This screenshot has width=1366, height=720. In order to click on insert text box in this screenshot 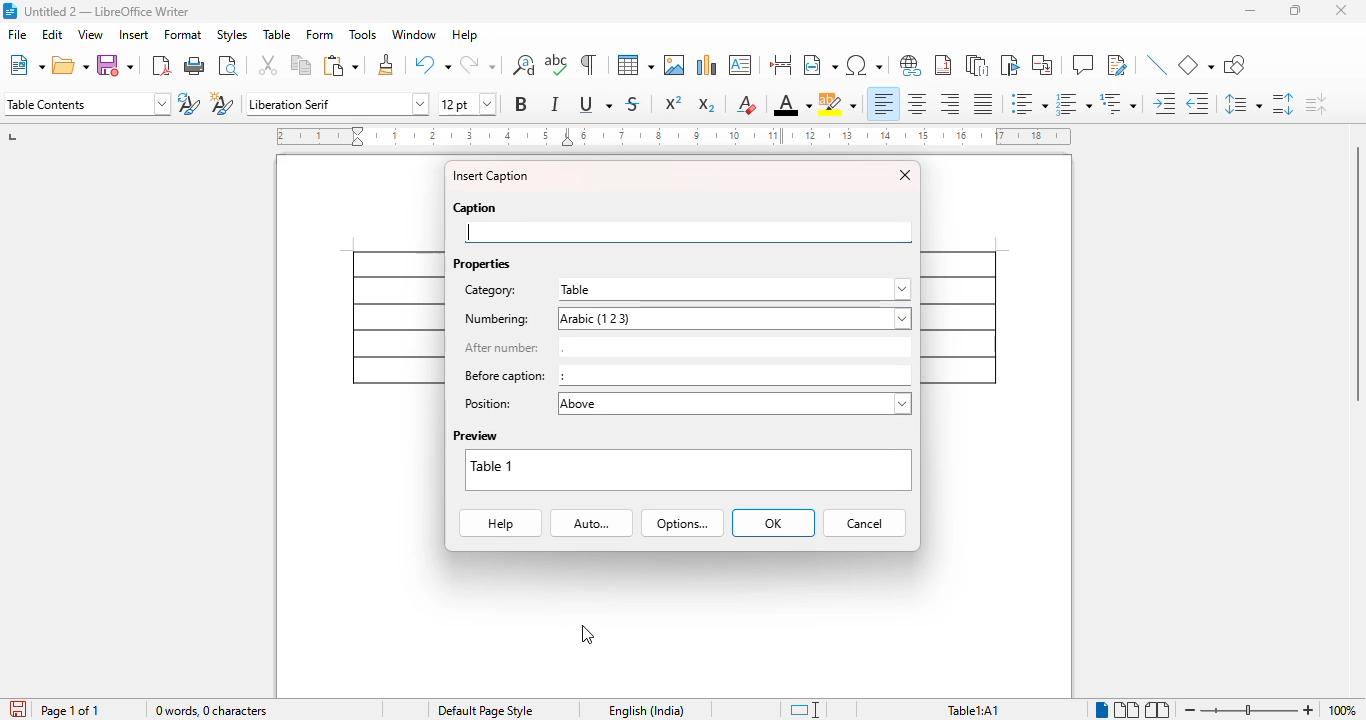, I will do `click(740, 65)`.